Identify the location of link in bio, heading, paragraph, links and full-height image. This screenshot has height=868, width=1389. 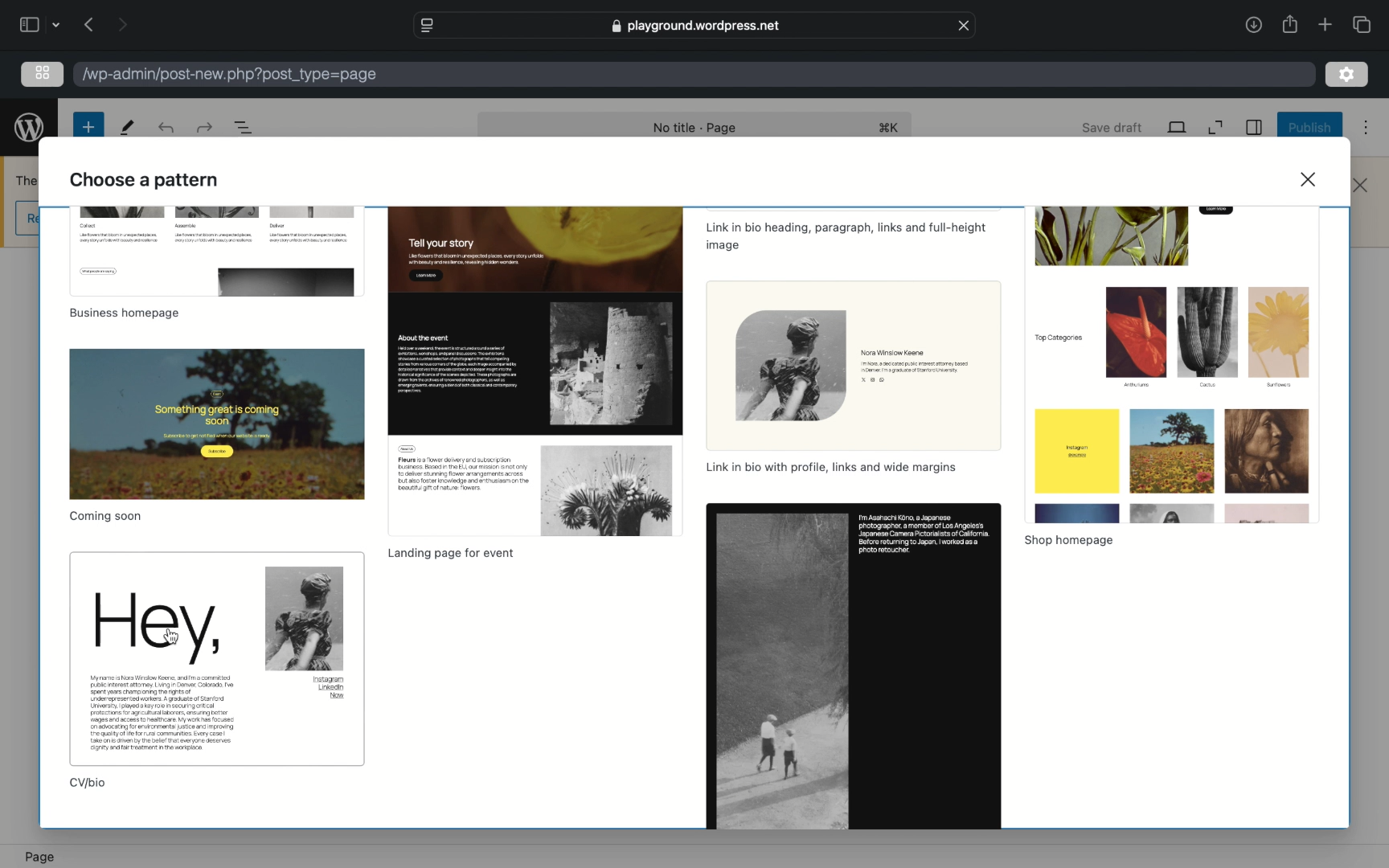
(846, 239).